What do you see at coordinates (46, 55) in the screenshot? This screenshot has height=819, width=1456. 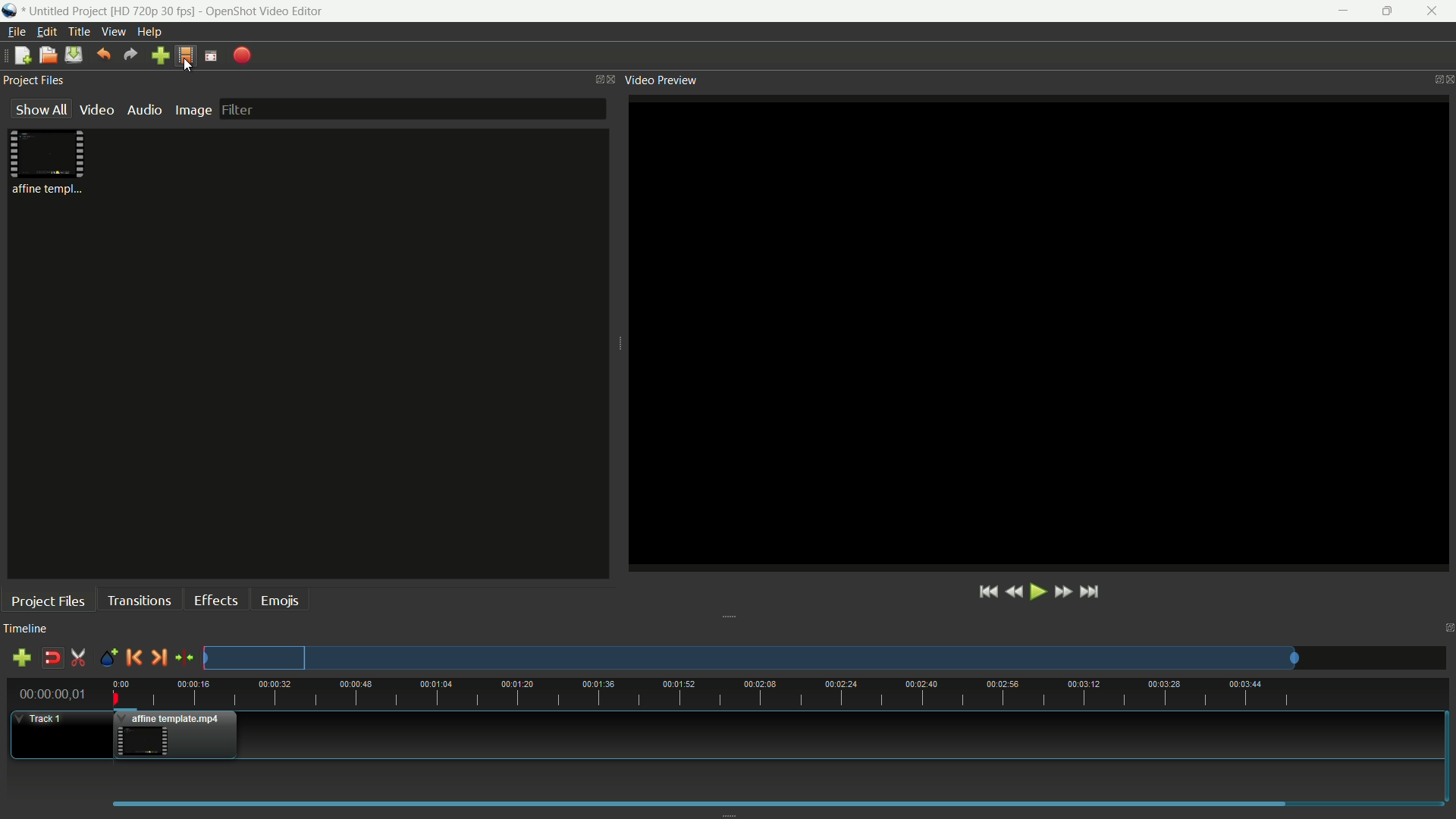 I see `open file` at bounding box center [46, 55].